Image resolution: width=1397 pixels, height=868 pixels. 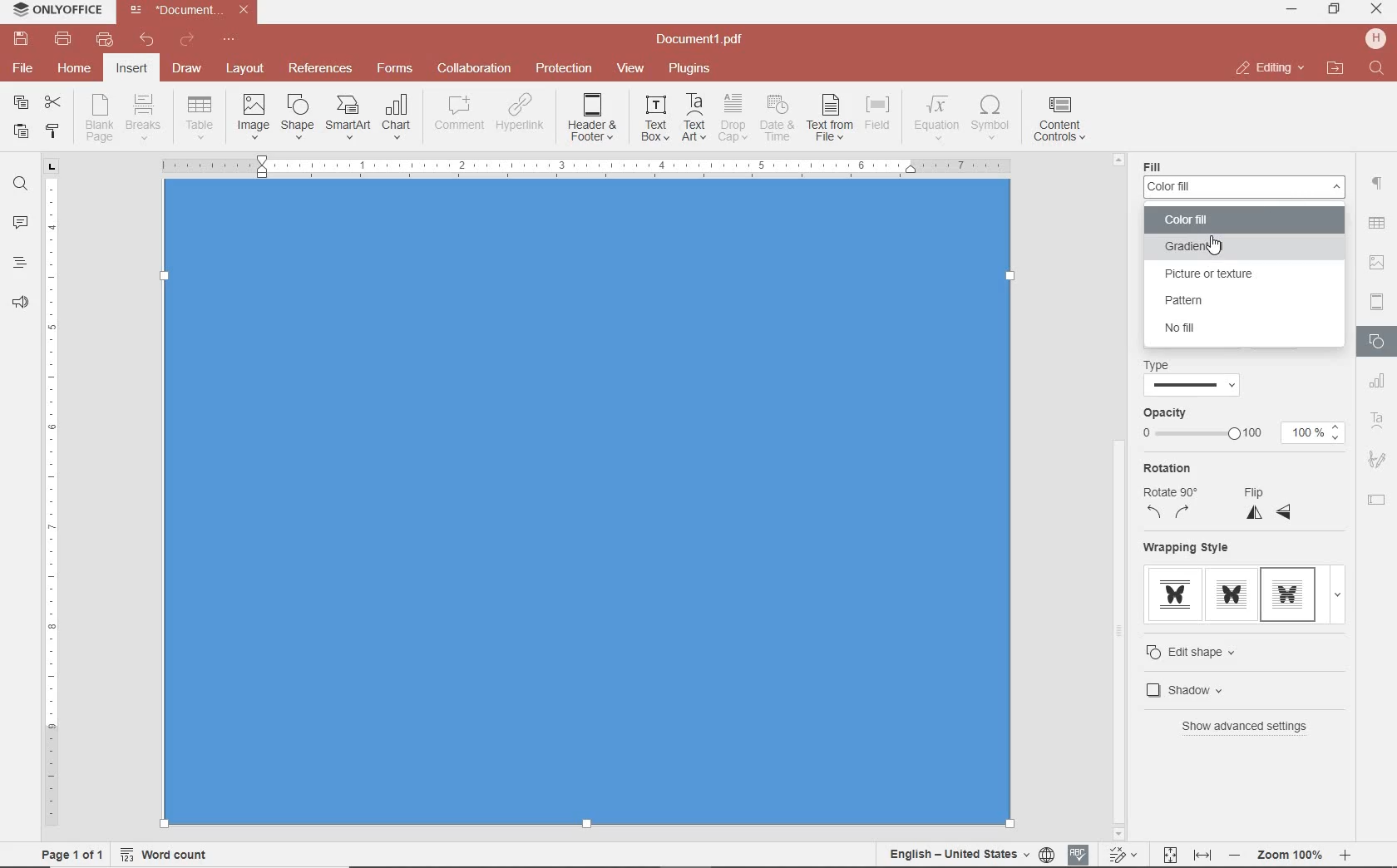 What do you see at coordinates (1272, 504) in the screenshot?
I see `FLIP` at bounding box center [1272, 504].